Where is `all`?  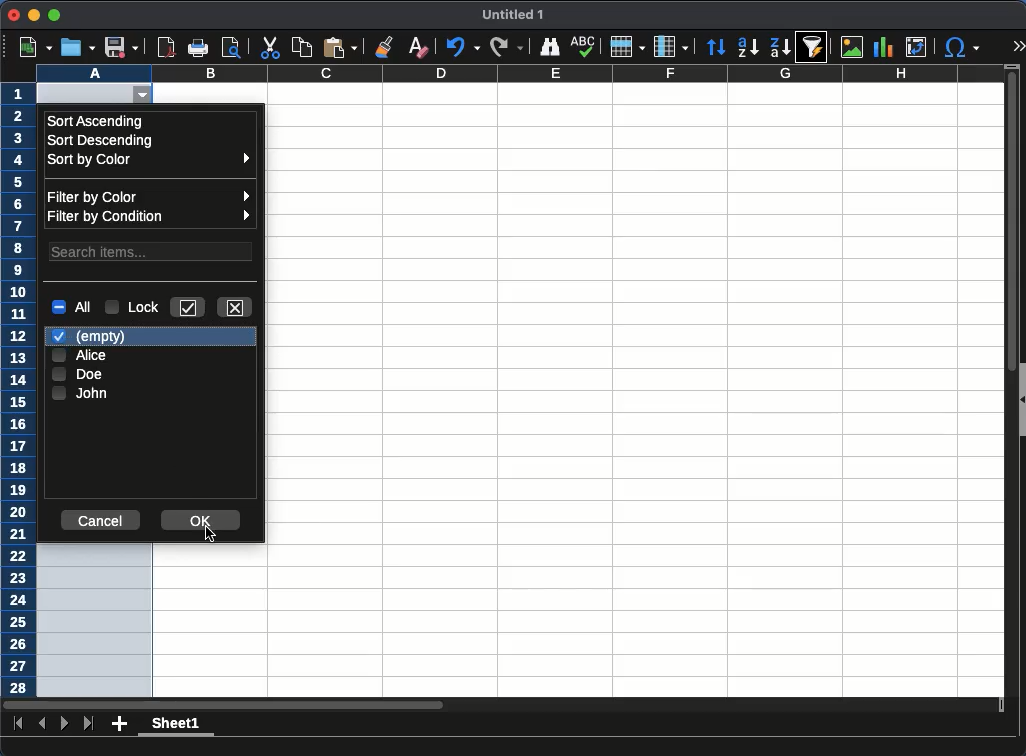
all is located at coordinates (71, 306).